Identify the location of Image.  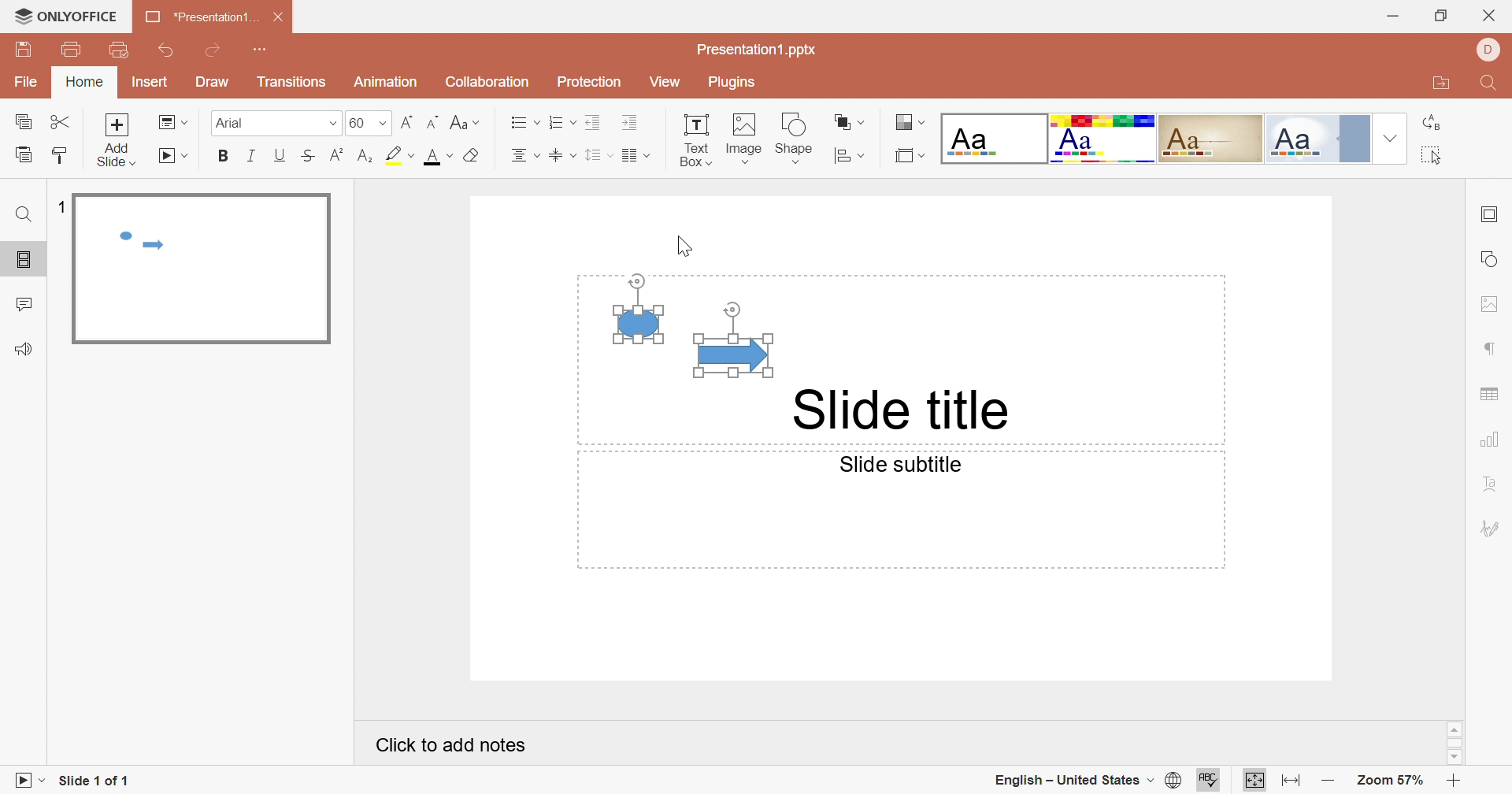
(746, 139).